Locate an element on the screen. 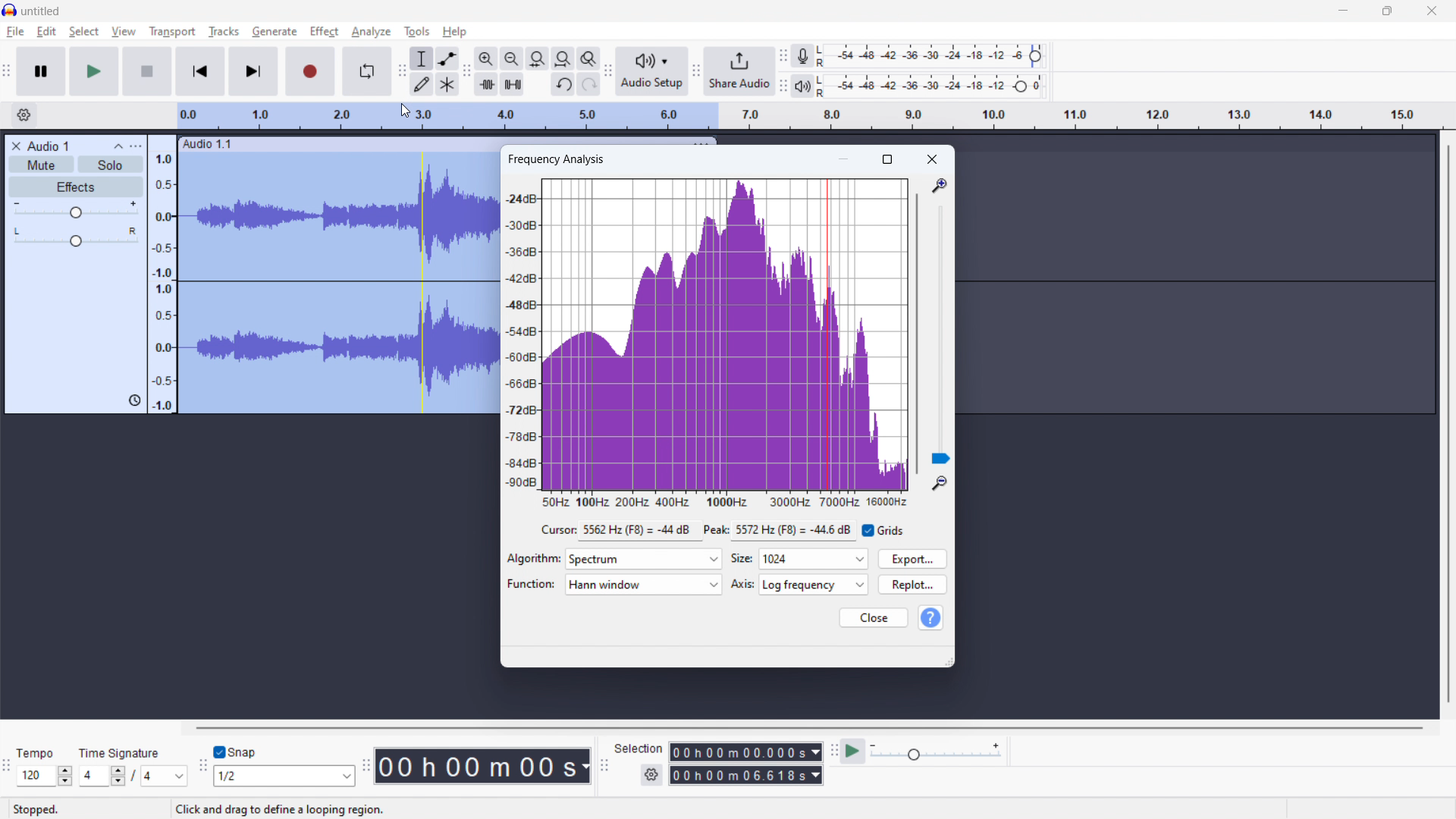  redo is located at coordinates (563, 83).